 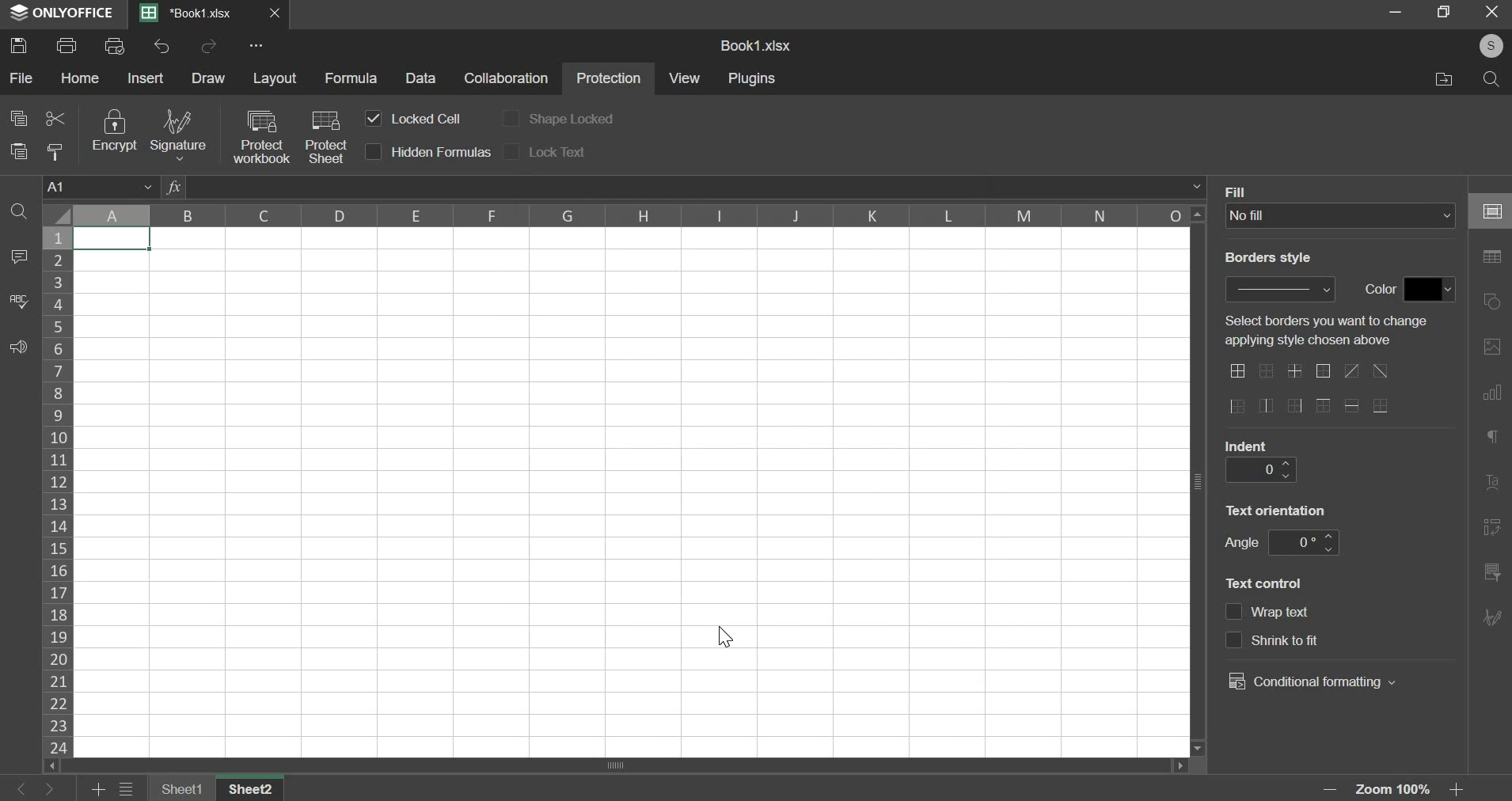 I want to click on border options, so click(x=1351, y=370).